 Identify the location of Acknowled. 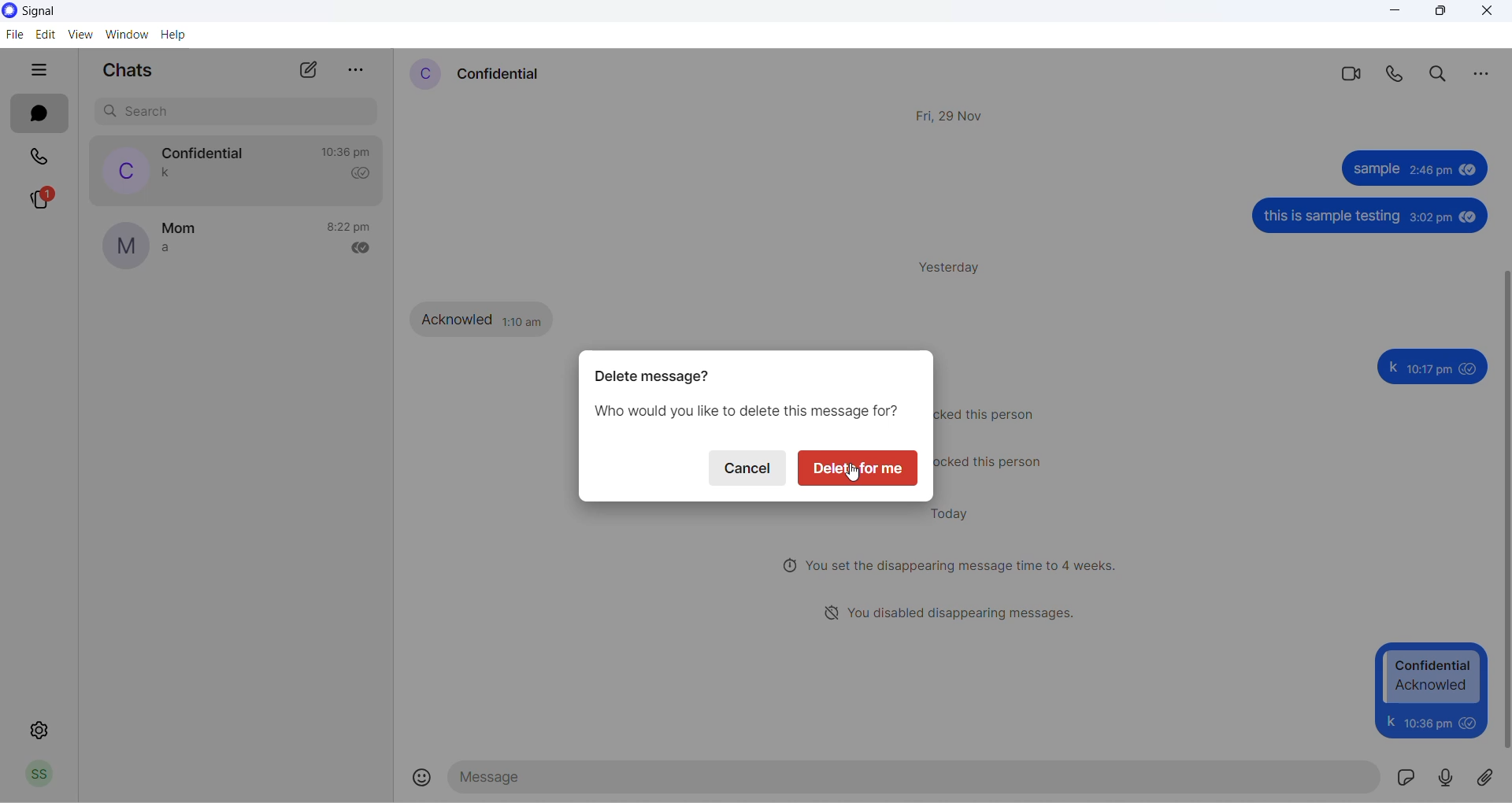
(457, 318).